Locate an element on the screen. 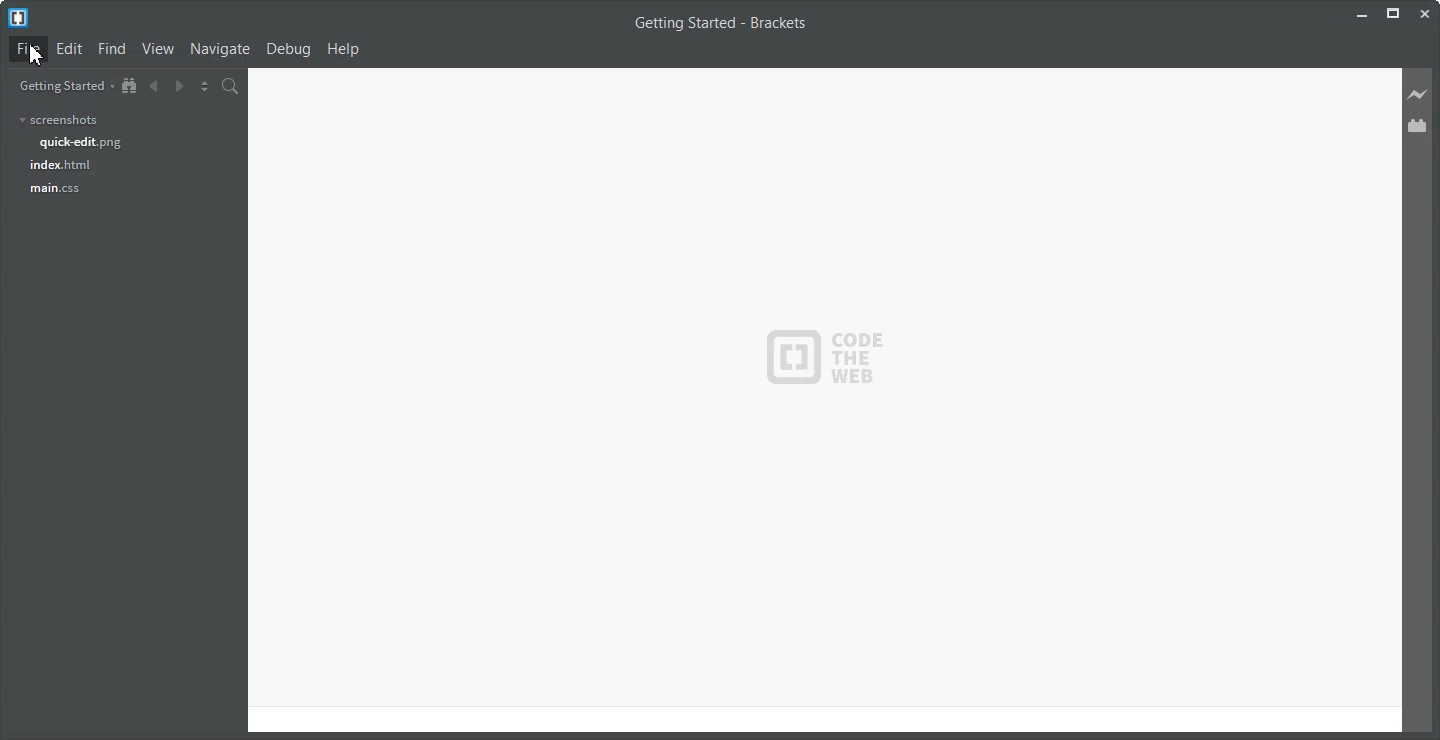 This screenshot has height=740, width=1440. Logo is located at coordinates (827, 357).